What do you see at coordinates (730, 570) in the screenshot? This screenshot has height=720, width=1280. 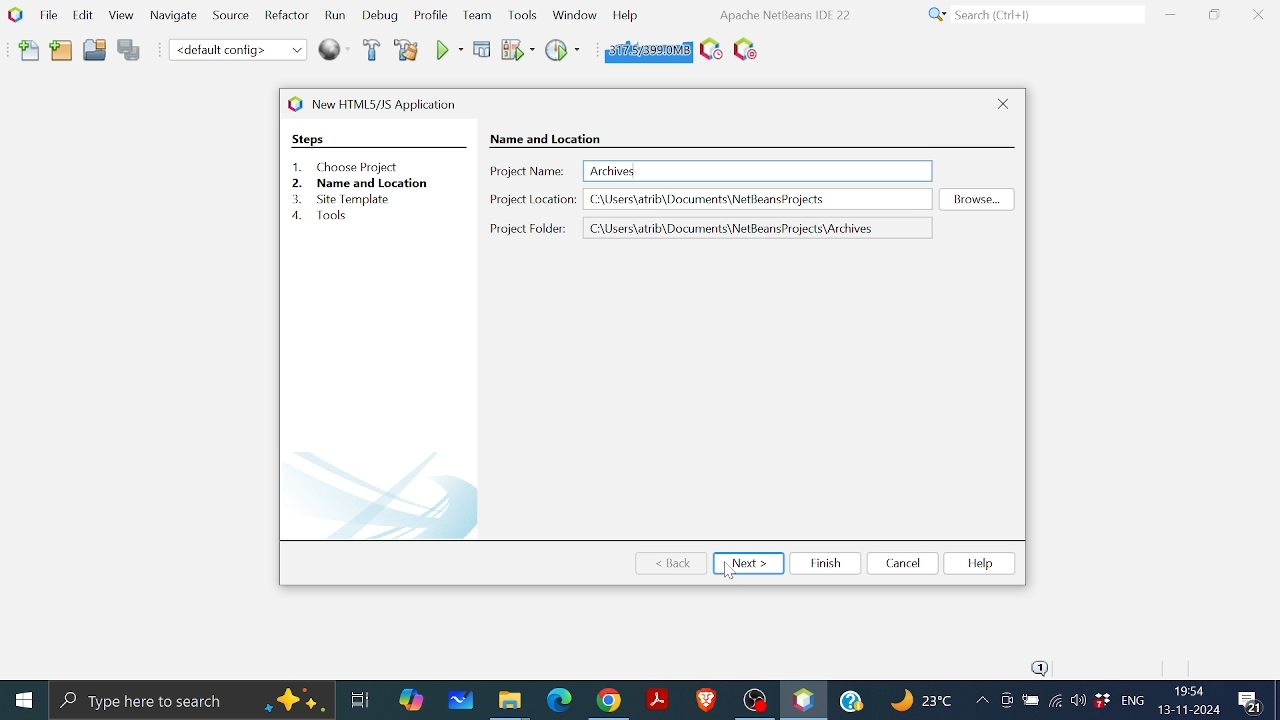 I see `cursor` at bounding box center [730, 570].